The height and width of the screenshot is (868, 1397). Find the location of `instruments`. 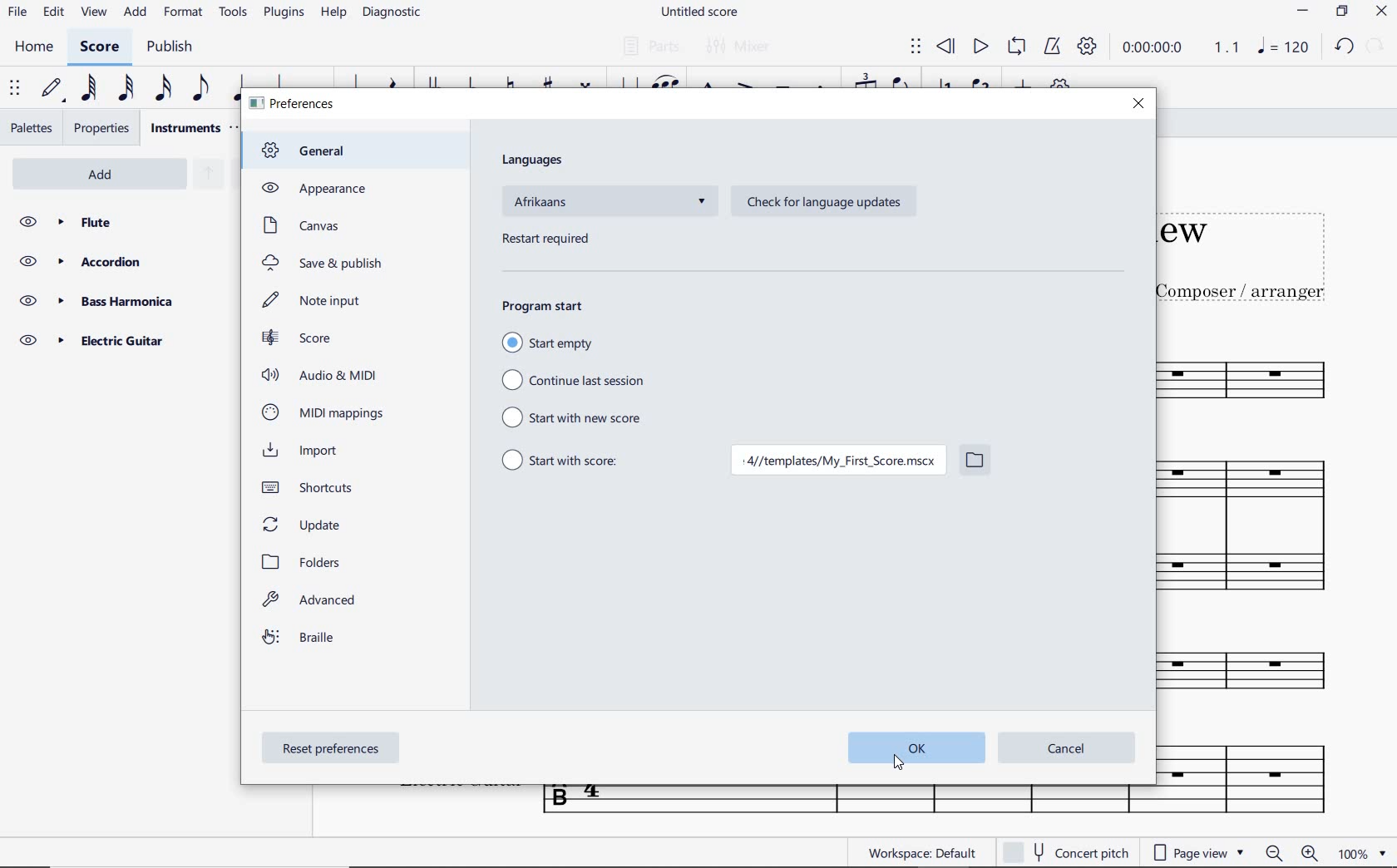

instruments is located at coordinates (185, 127).